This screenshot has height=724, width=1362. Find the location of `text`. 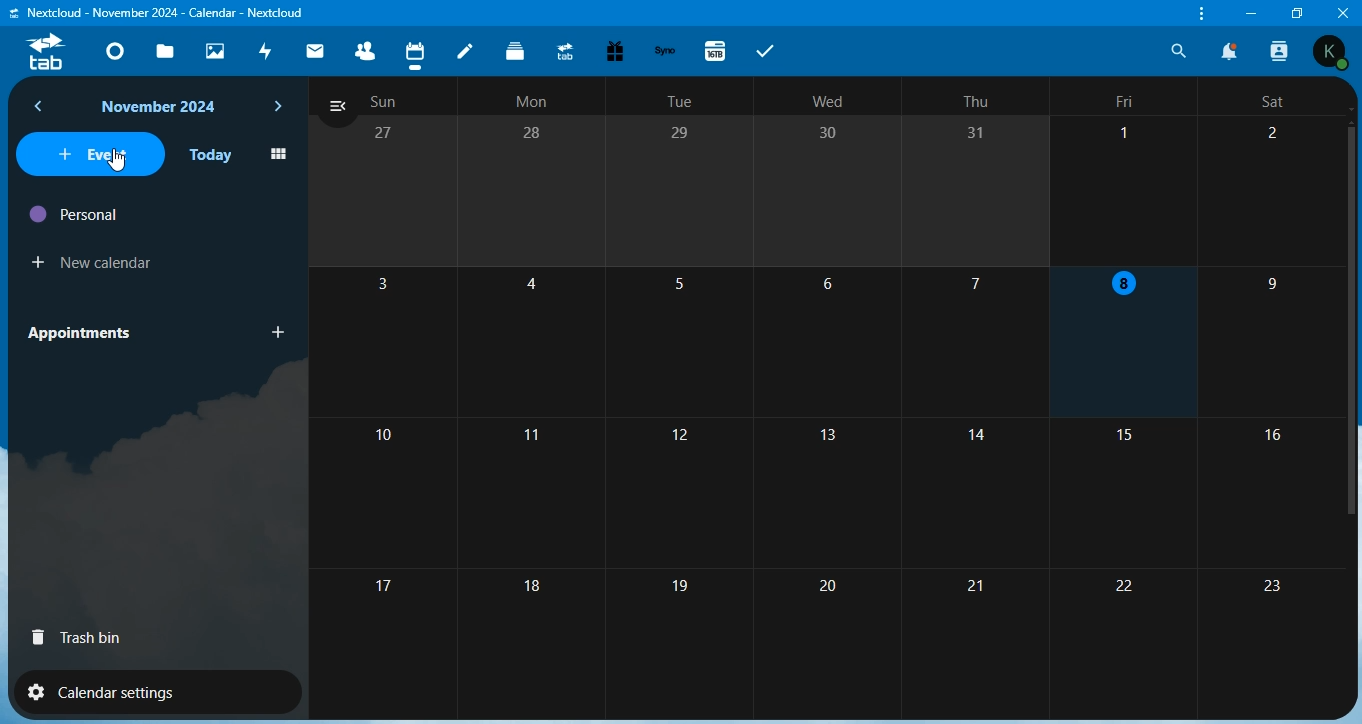

text is located at coordinates (158, 108).